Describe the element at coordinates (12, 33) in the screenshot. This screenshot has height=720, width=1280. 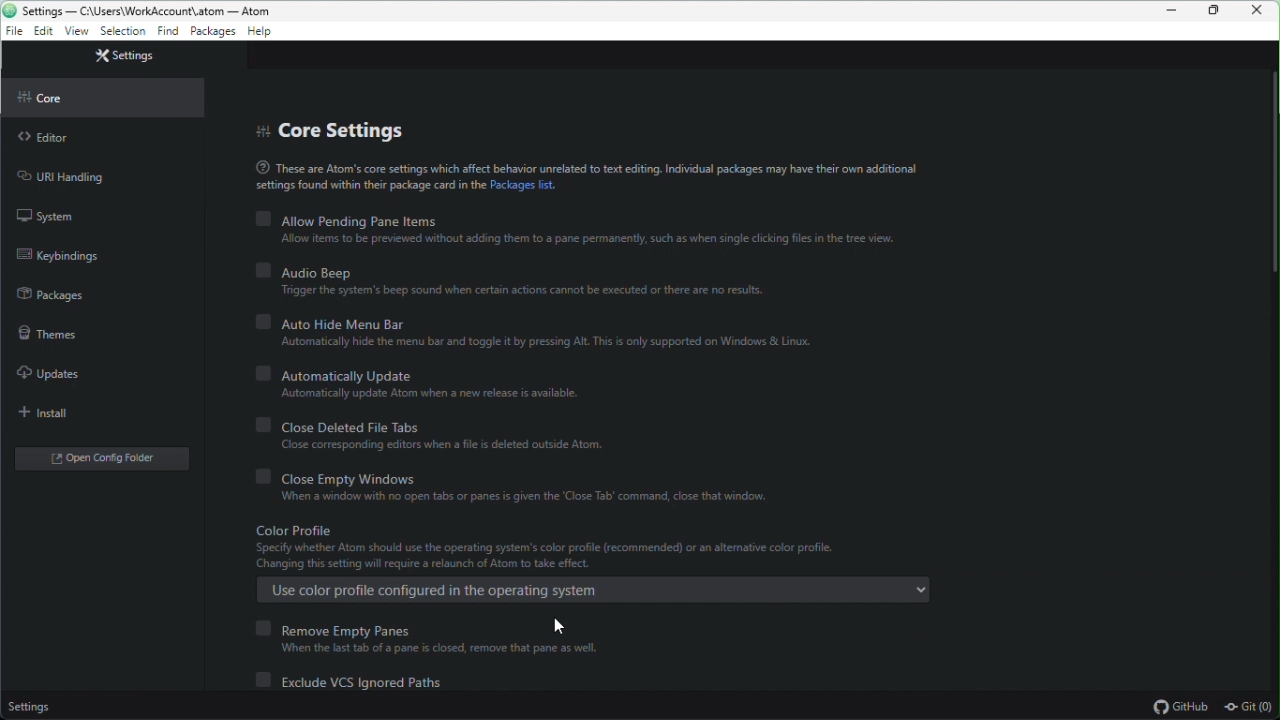
I see `file` at that location.